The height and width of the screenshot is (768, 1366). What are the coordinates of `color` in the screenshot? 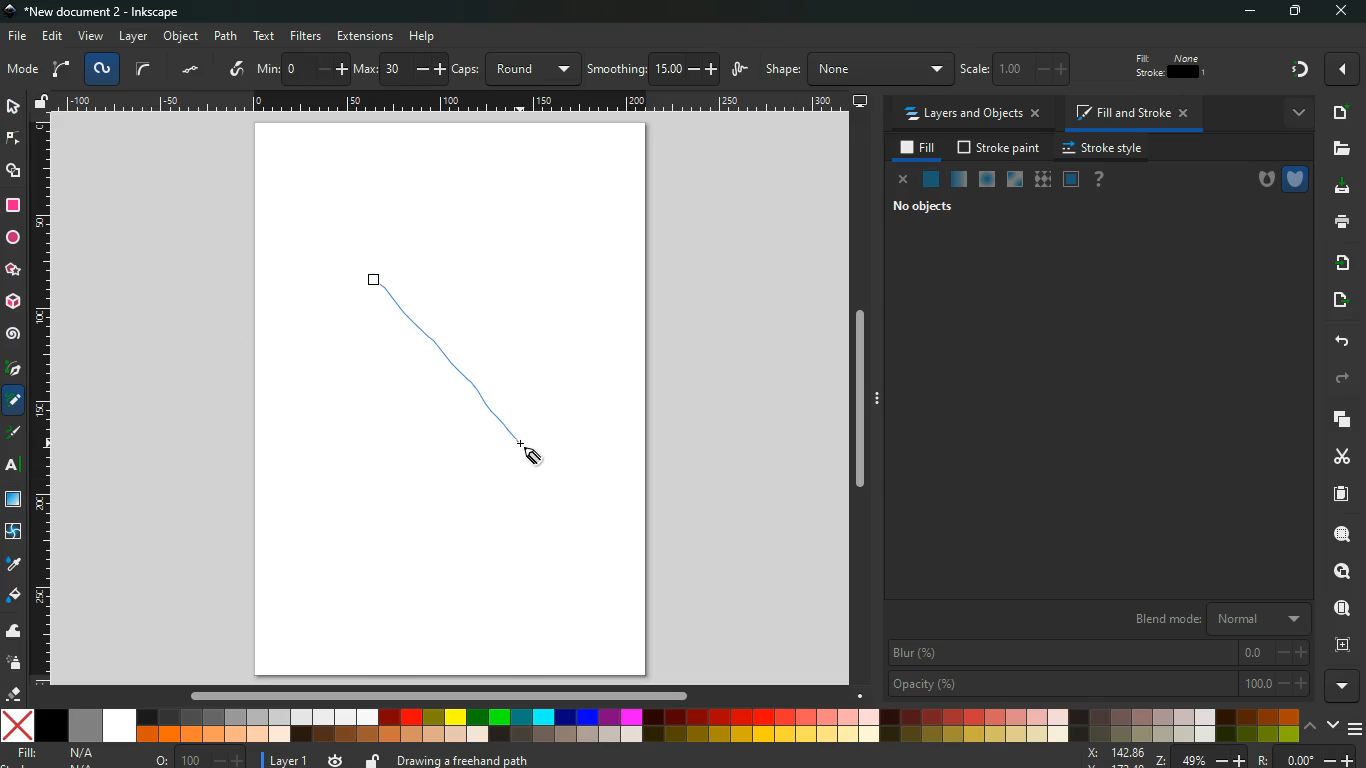 It's located at (649, 725).